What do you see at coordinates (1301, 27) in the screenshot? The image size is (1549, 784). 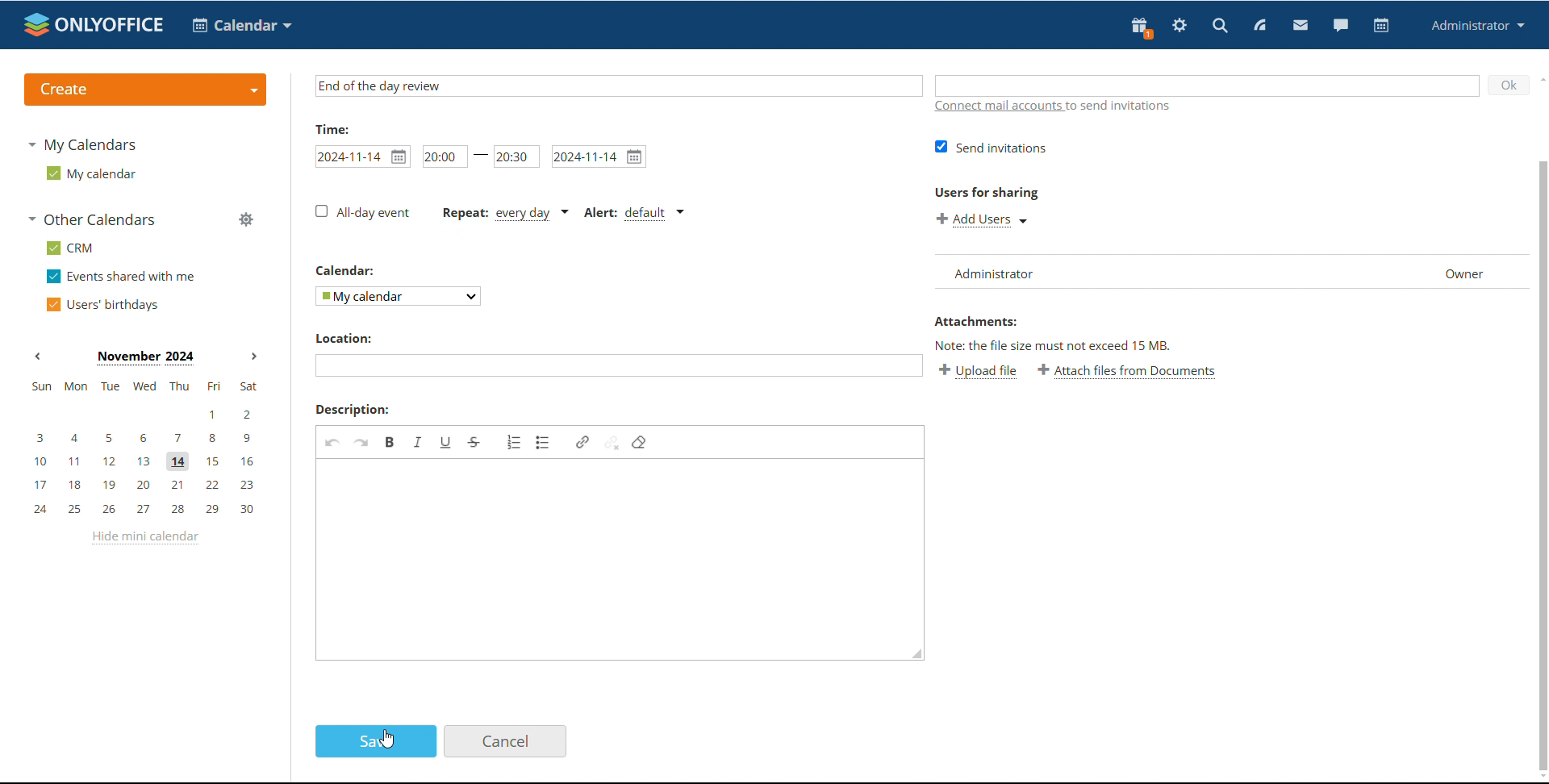 I see `mail` at bounding box center [1301, 27].